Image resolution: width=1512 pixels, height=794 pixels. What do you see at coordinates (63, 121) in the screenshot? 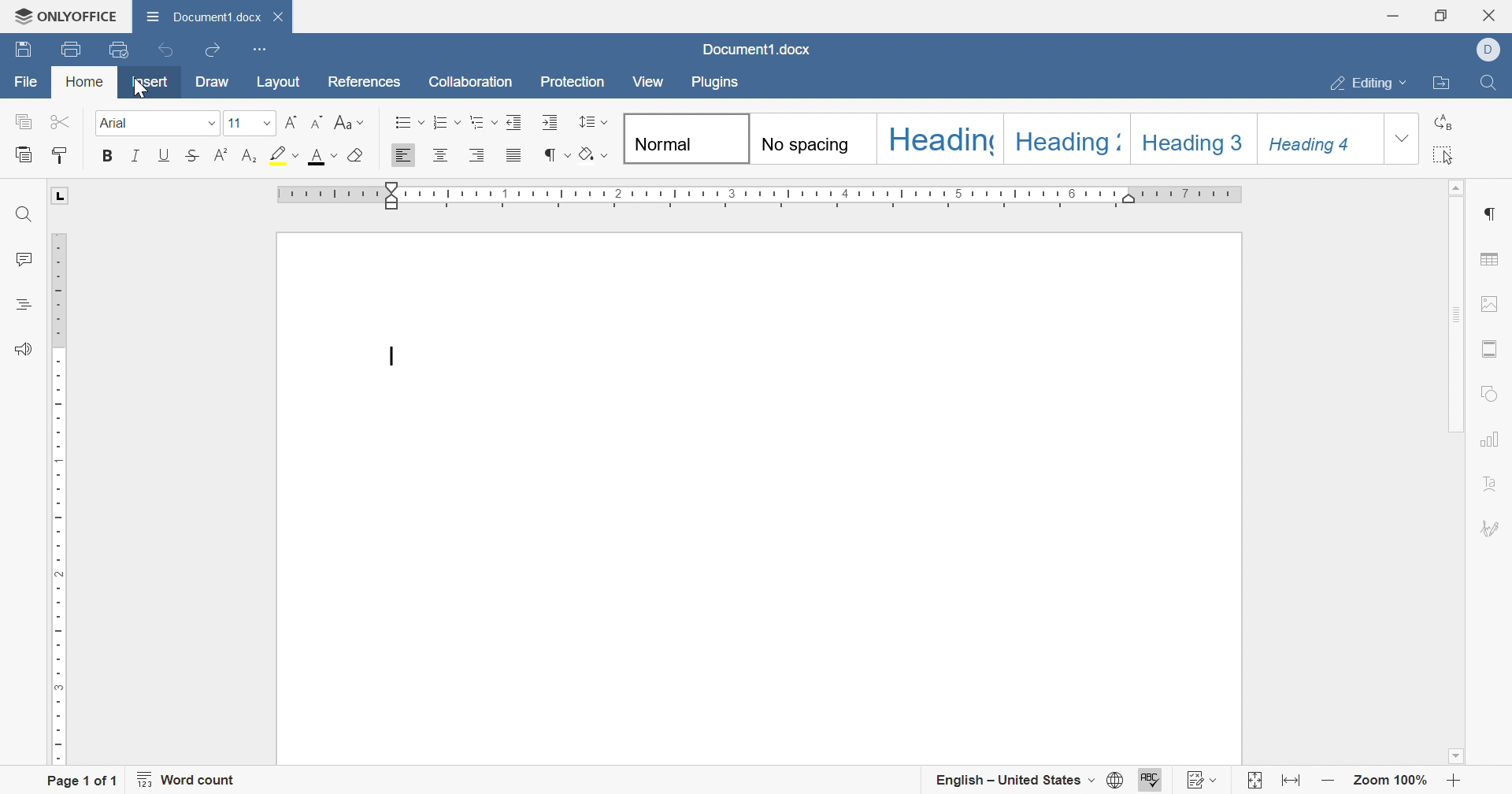
I see `Cut` at bounding box center [63, 121].